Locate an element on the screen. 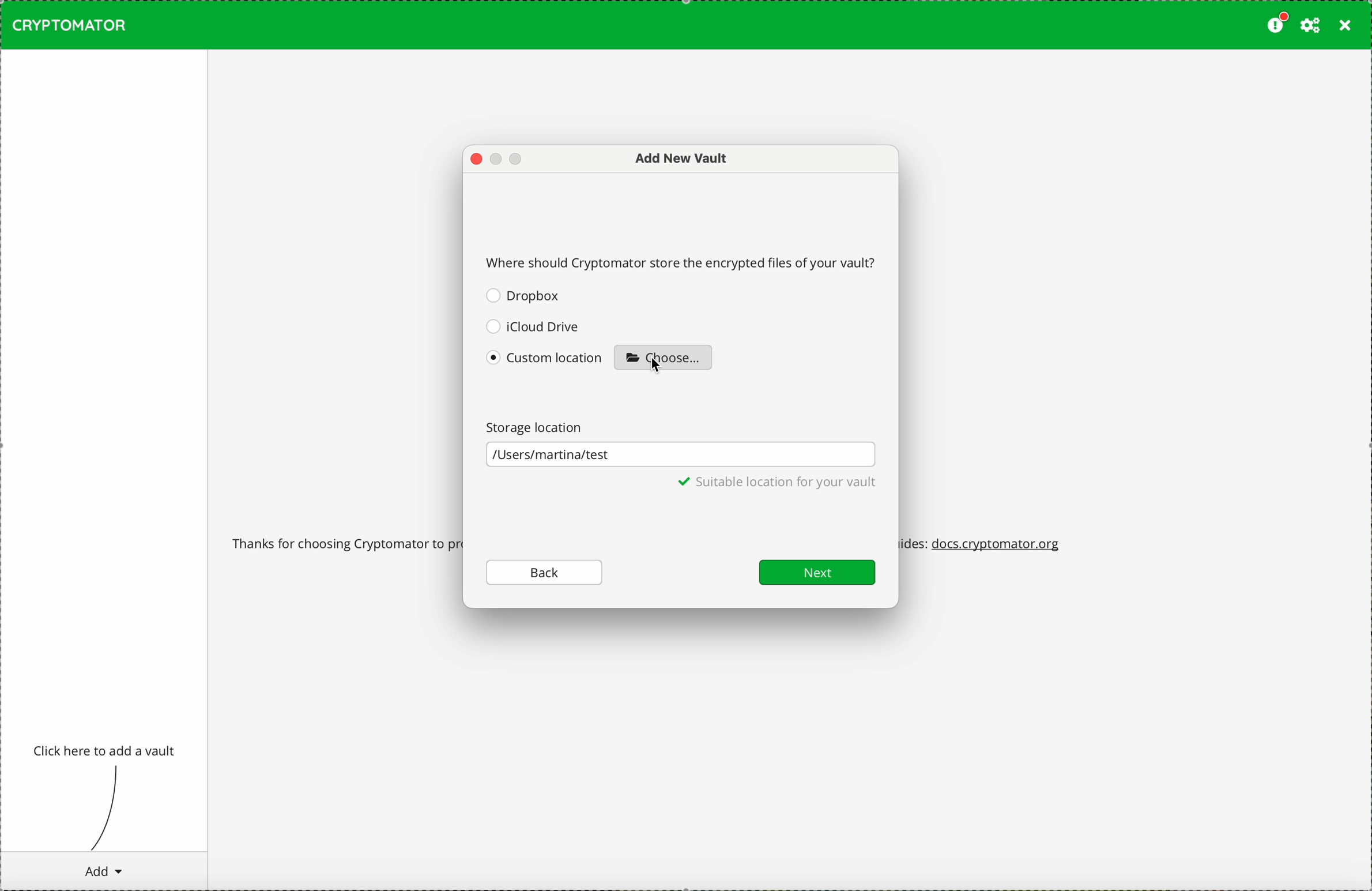 The image size is (1372, 891). add new vault window is located at coordinates (674, 159).